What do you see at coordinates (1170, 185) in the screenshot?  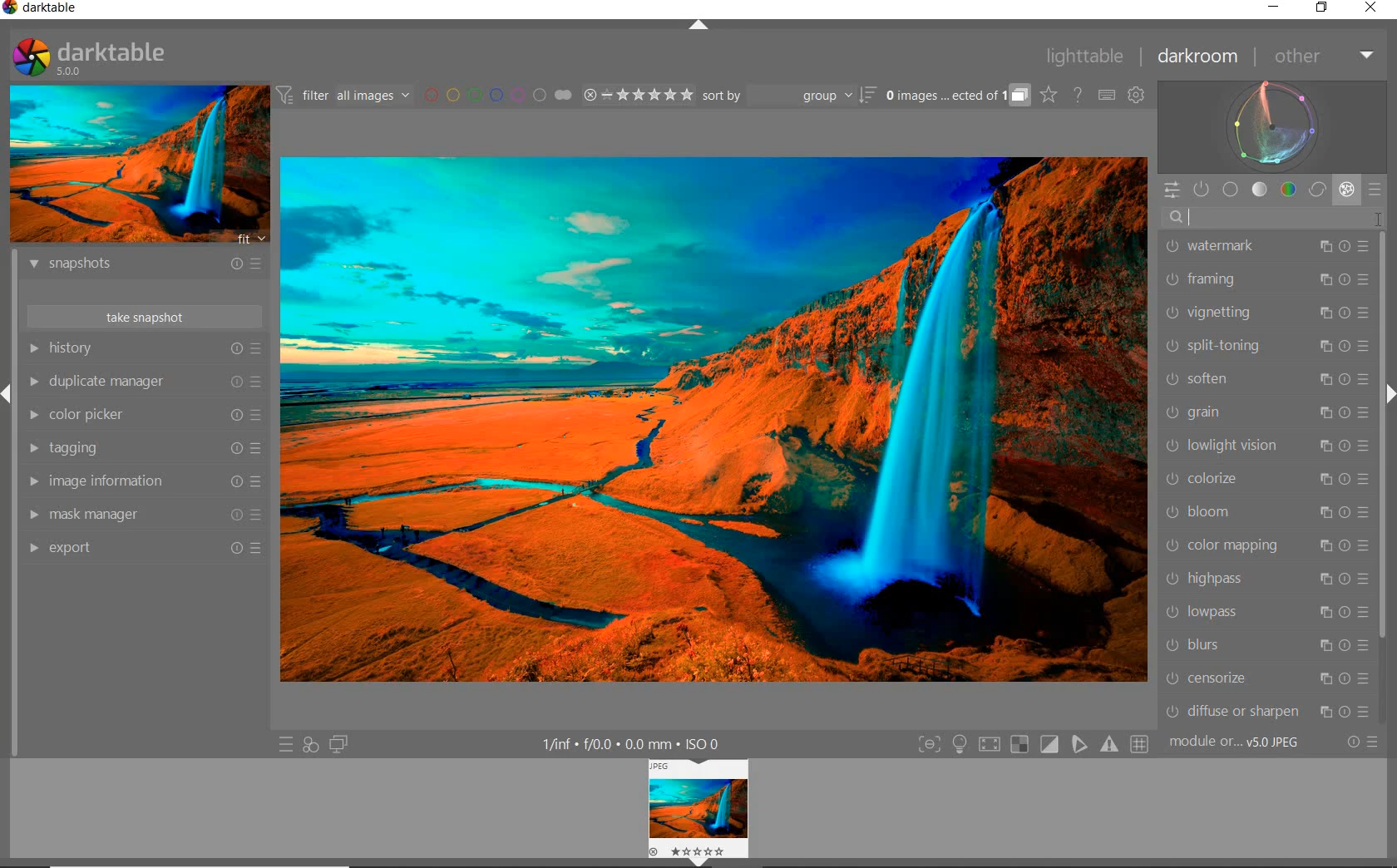 I see `QUICK ACCESS PANEL` at bounding box center [1170, 185].